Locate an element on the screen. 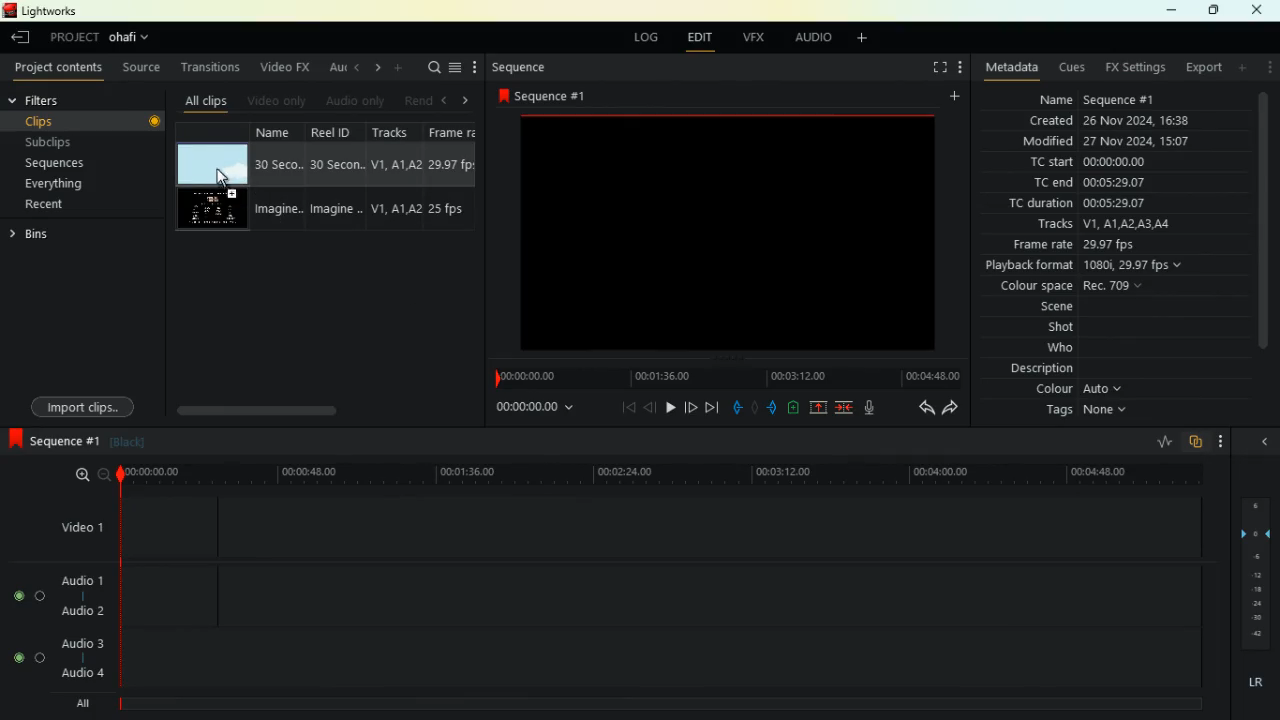 The height and width of the screenshot is (720, 1280). hold is located at coordinates (754, 407).